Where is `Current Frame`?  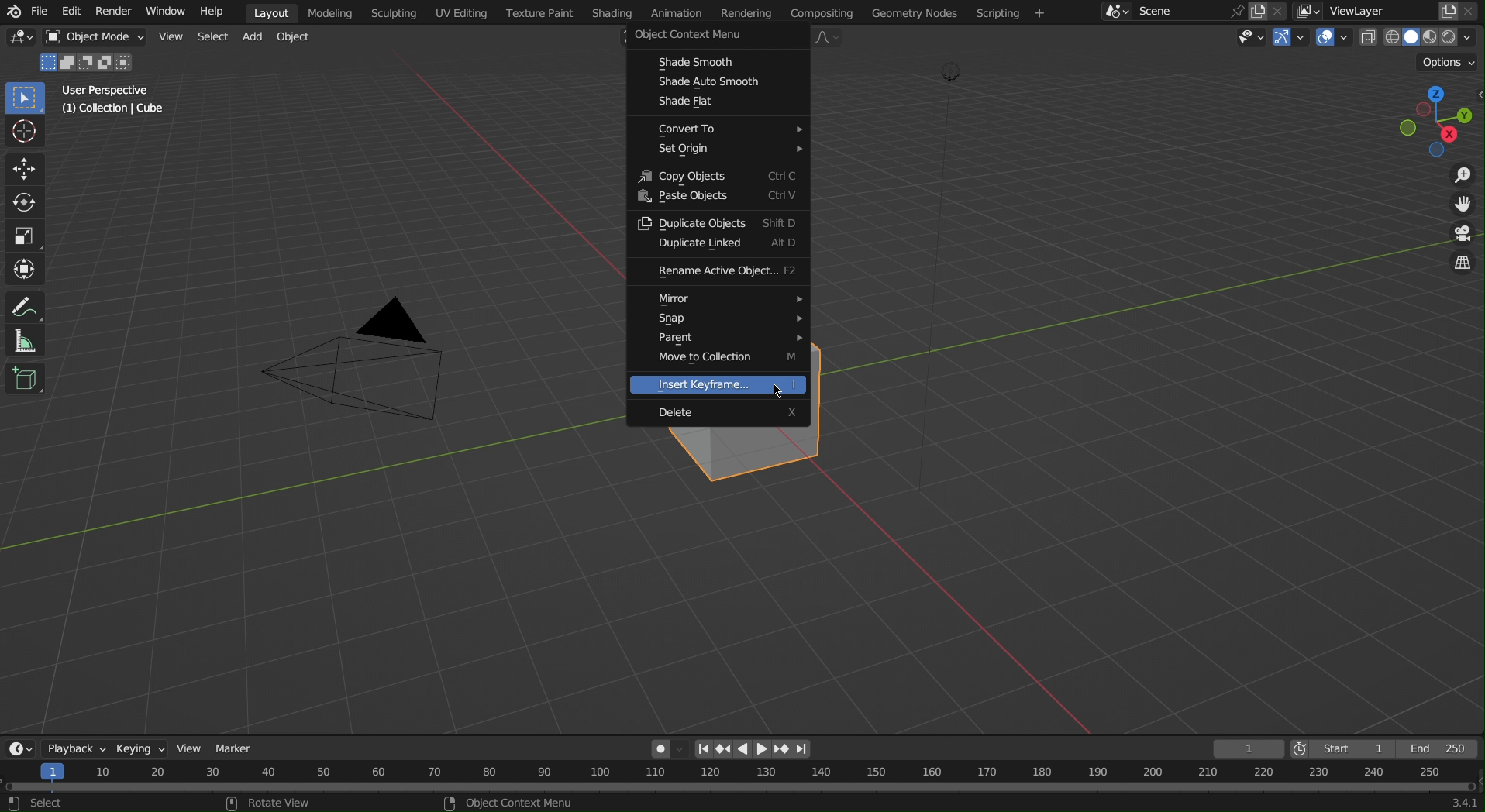 Current Frame is located at coordinates (1247, 748).